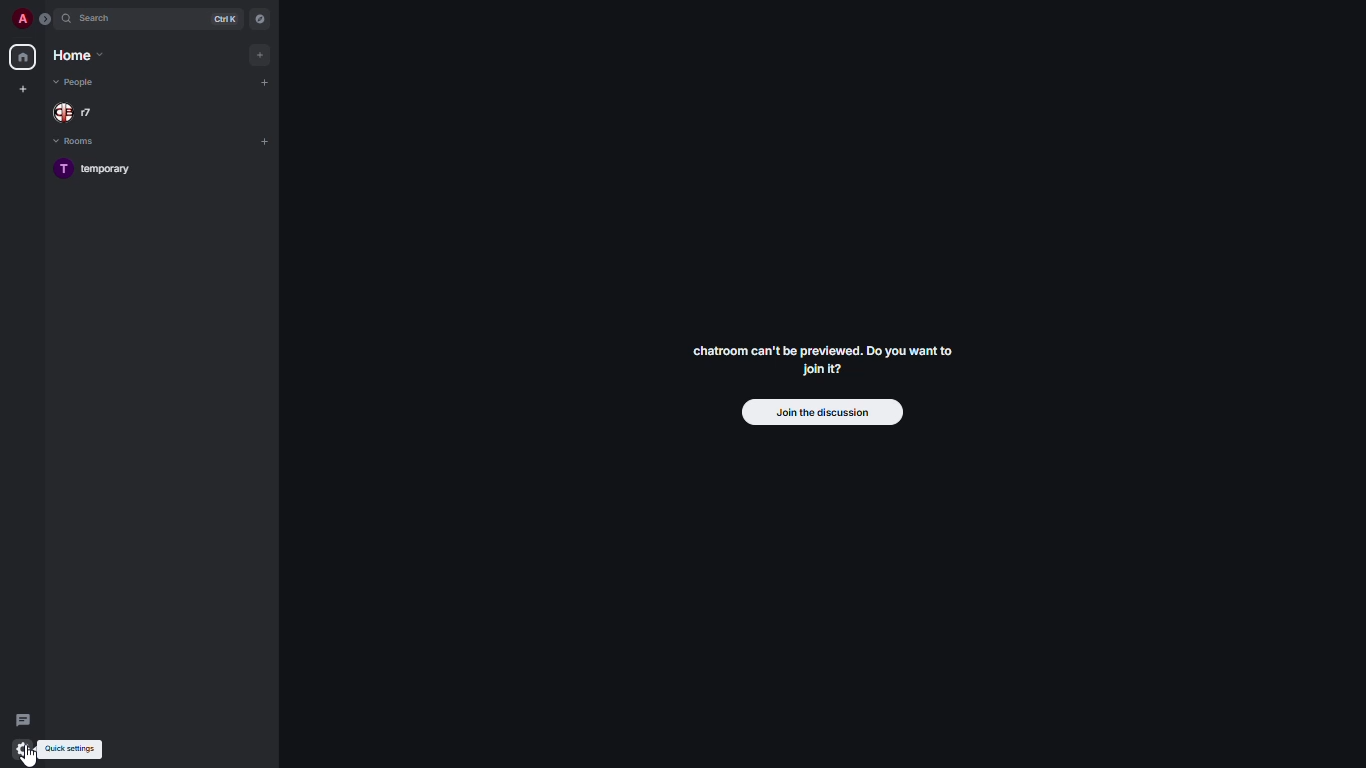  Describe the element at coordinates (22, 716) in the screenshot. I see `threads` at that location.